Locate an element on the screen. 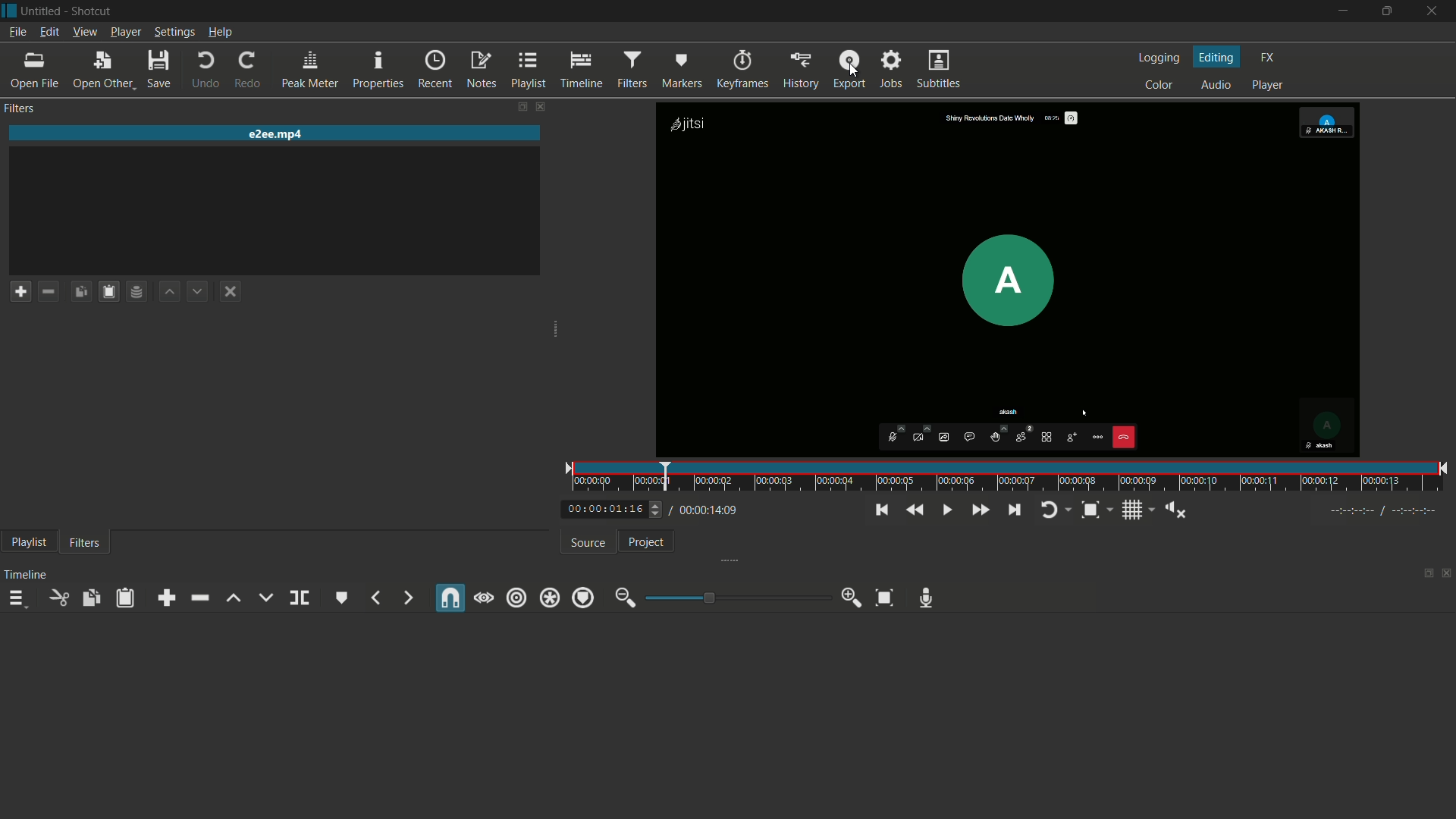 The width and height of the screenshot is (1456, 819). open other is located at coordinates (102, 70).